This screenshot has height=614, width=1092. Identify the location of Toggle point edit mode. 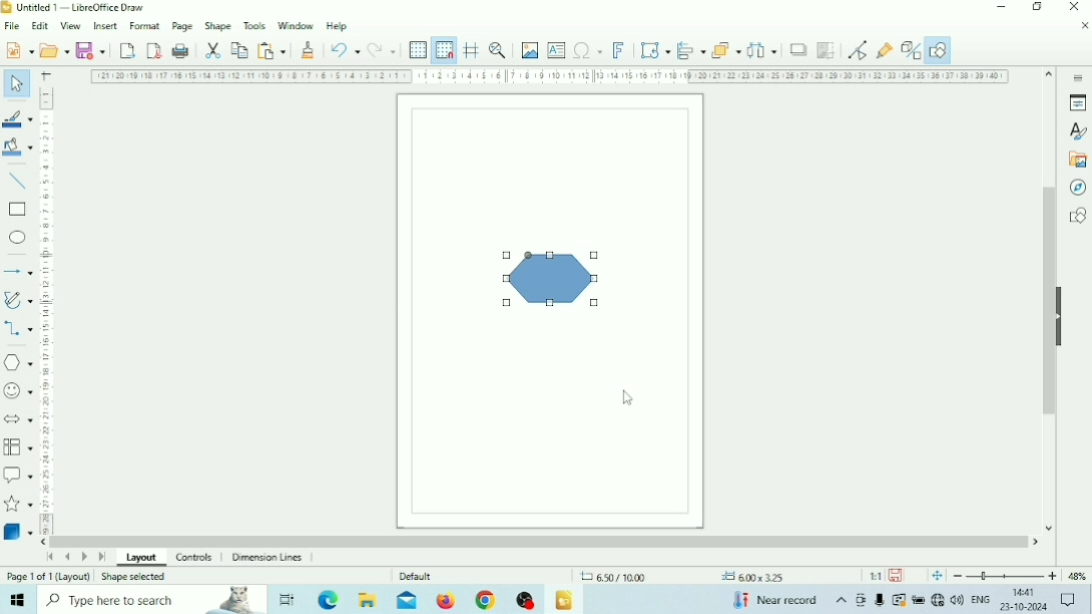
(858, 50).